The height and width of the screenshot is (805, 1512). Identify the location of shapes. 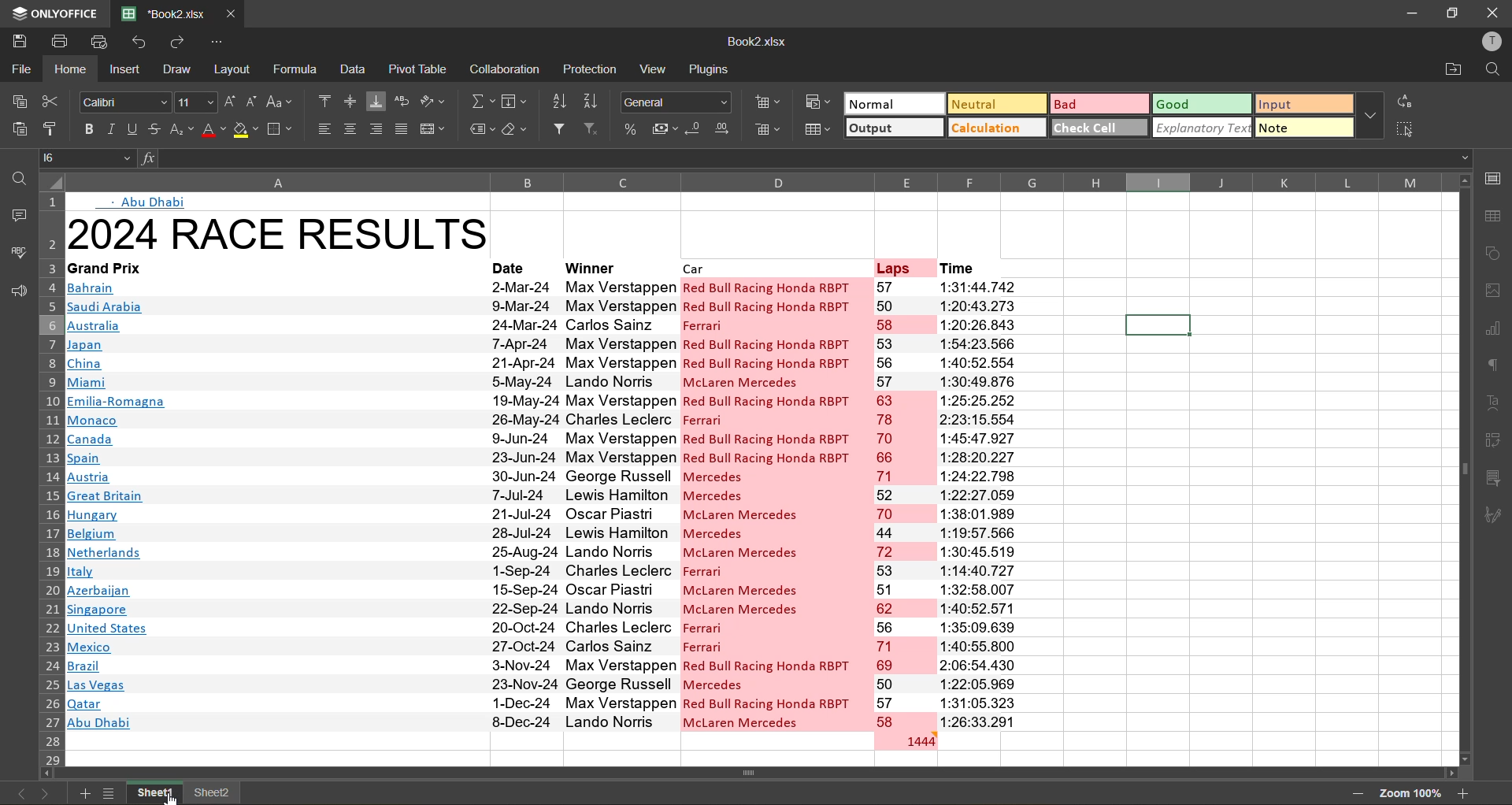
(1493, 251).